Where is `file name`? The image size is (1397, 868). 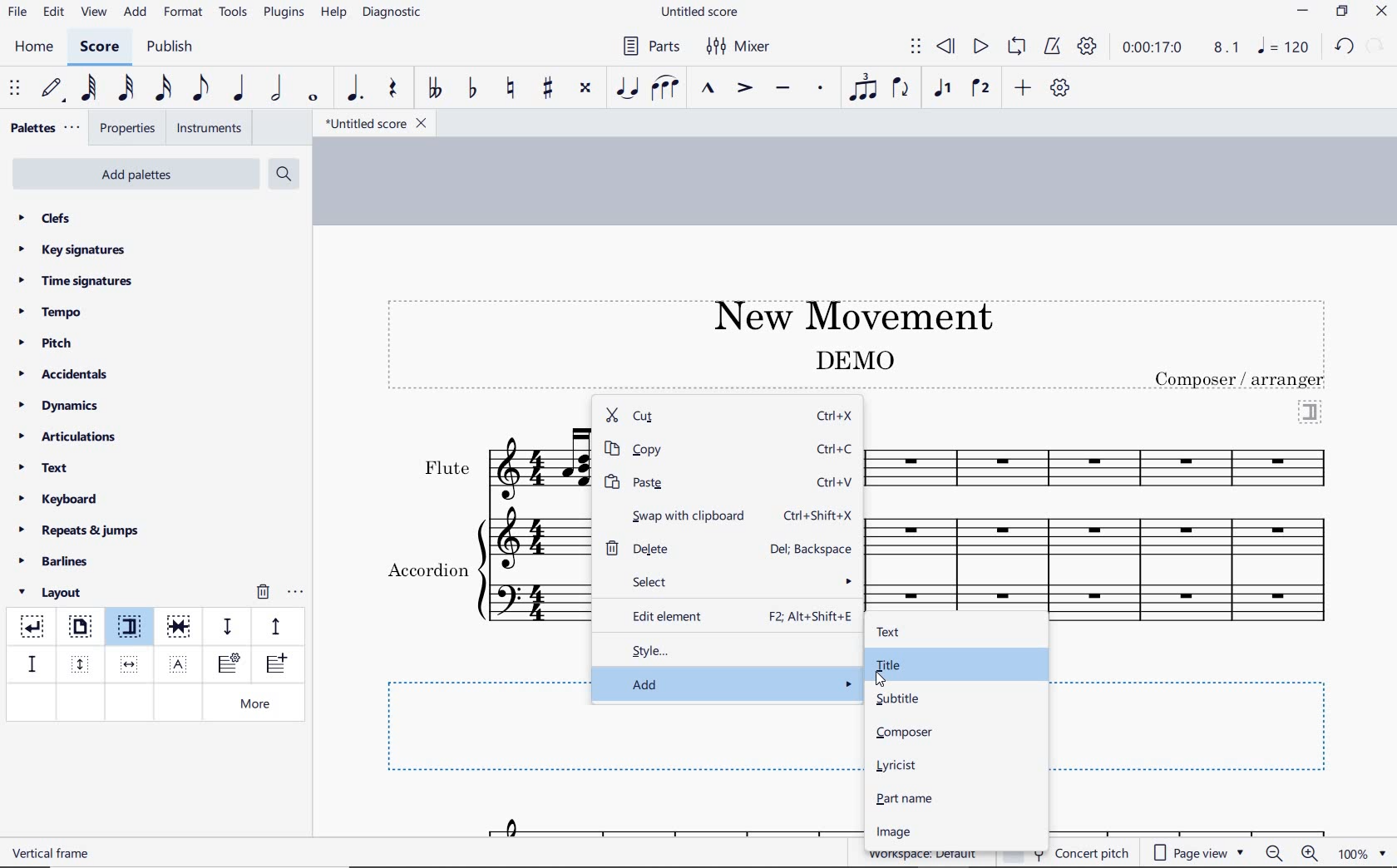
file name is located at coordinates (702, 12).